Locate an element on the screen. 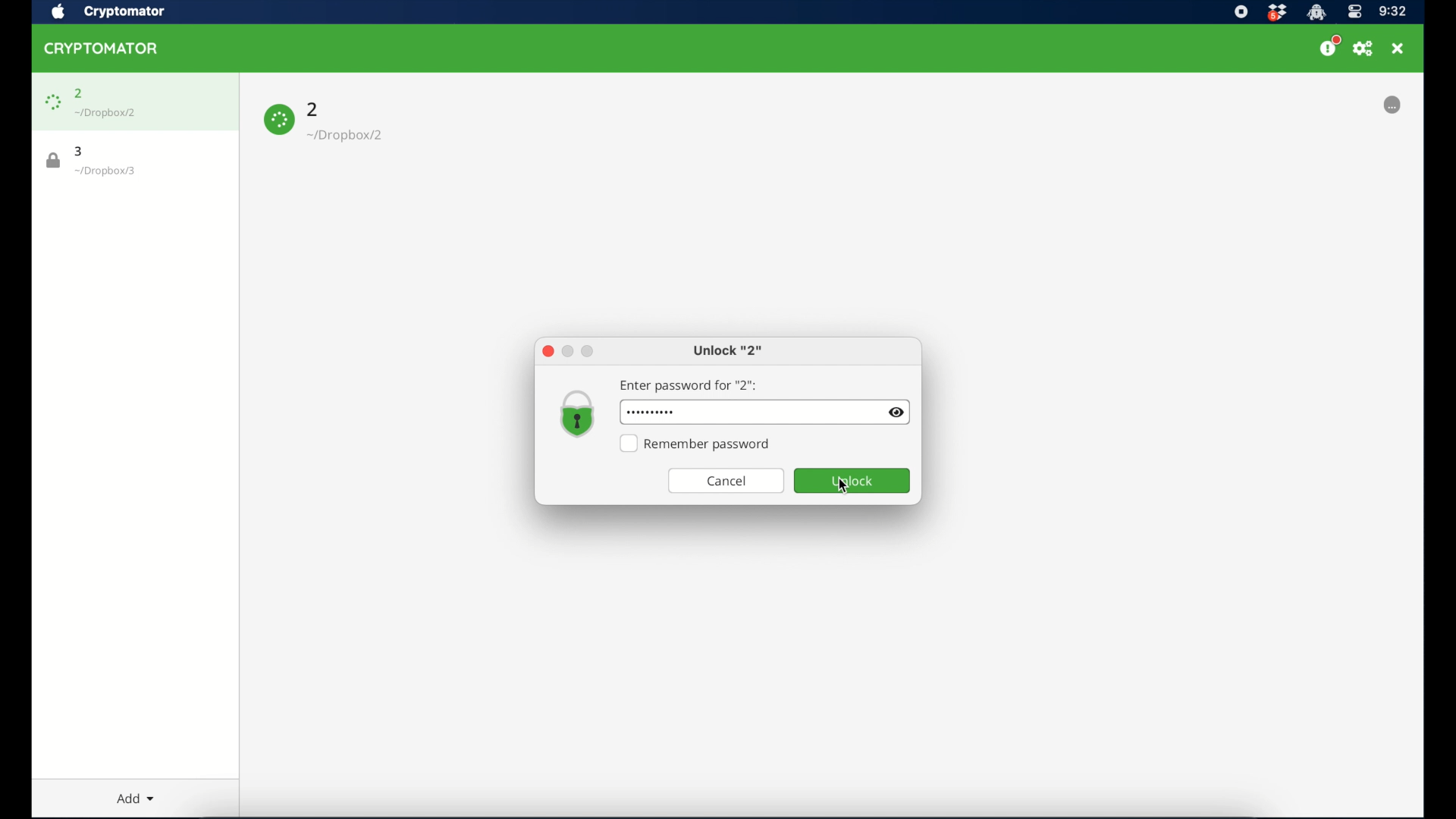 This screenshot has width=1456, height=819. lock icon is located at coordinates (53, 161).